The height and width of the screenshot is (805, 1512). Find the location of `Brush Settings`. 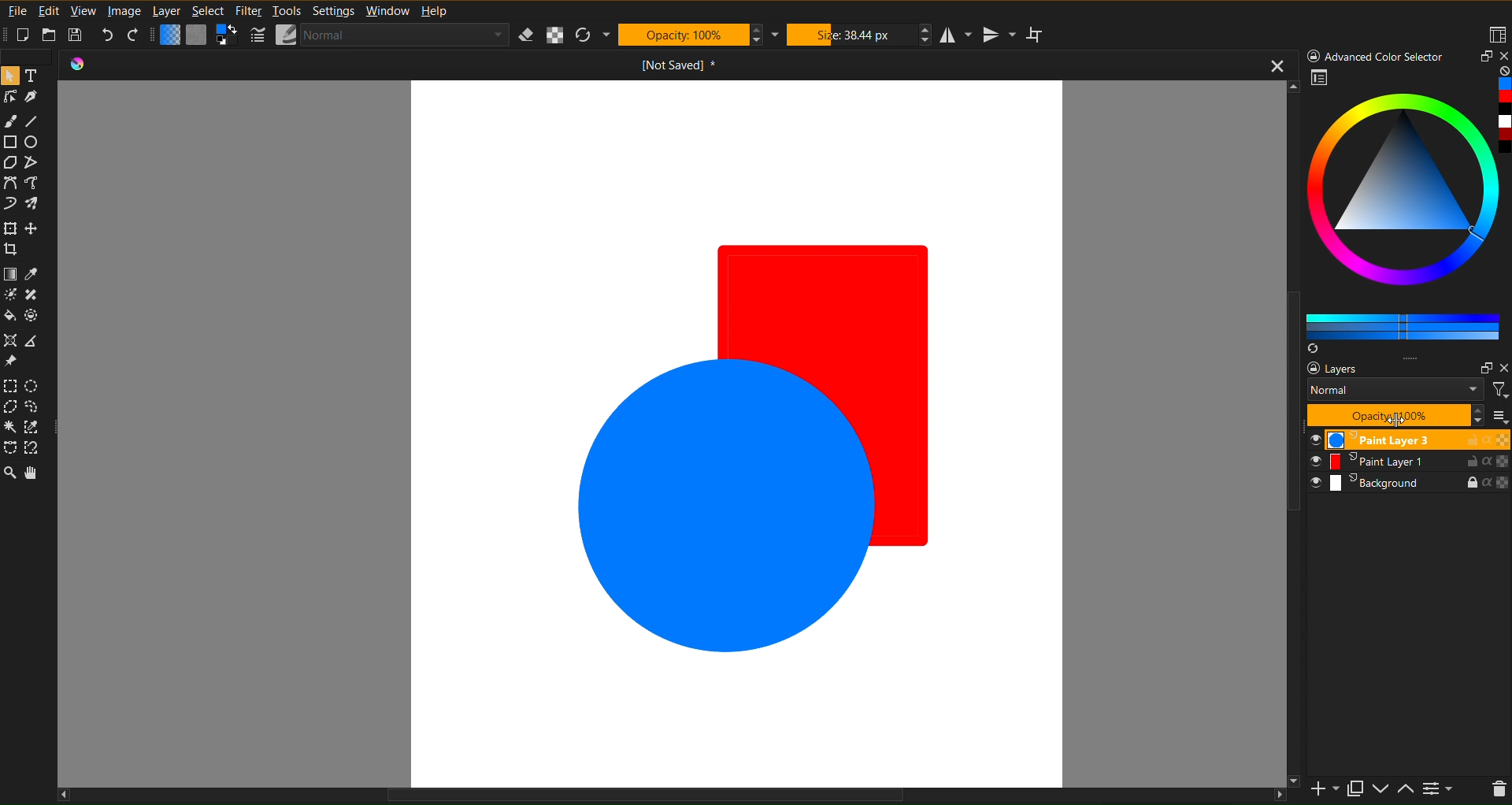

Brush Settings is located at coordinates (378, 35).